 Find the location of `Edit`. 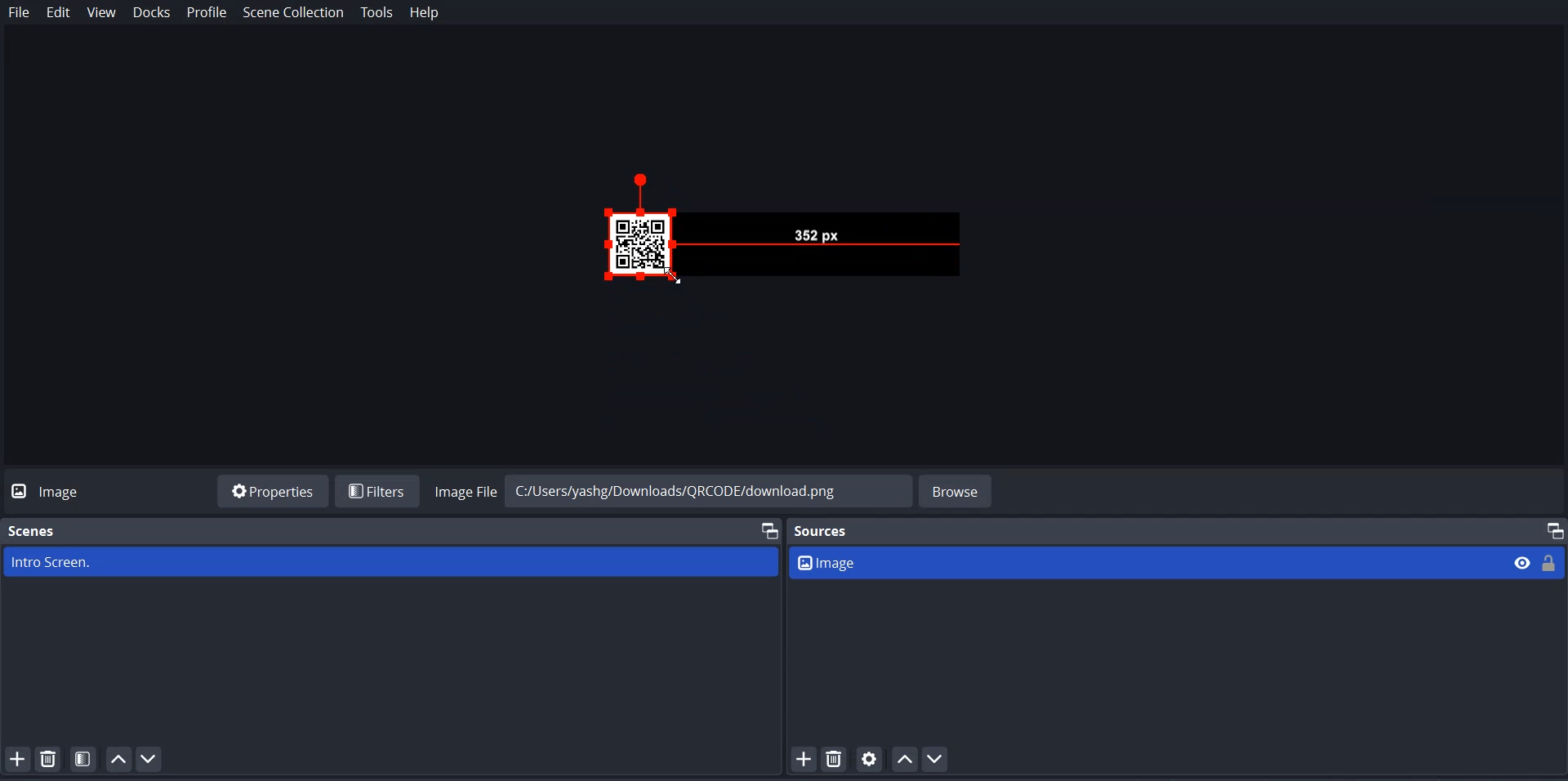

Edit is located at coordinates (59, 13).